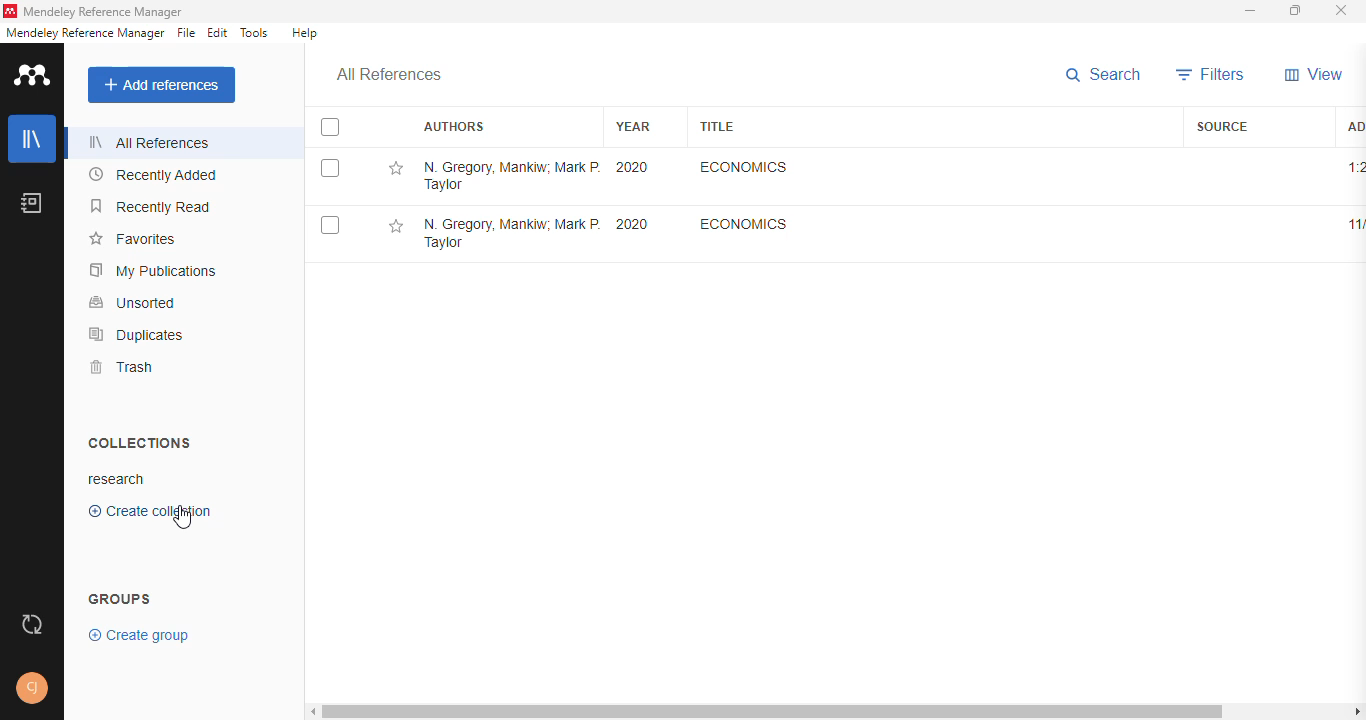  I want to click on help, so click(304, 33).